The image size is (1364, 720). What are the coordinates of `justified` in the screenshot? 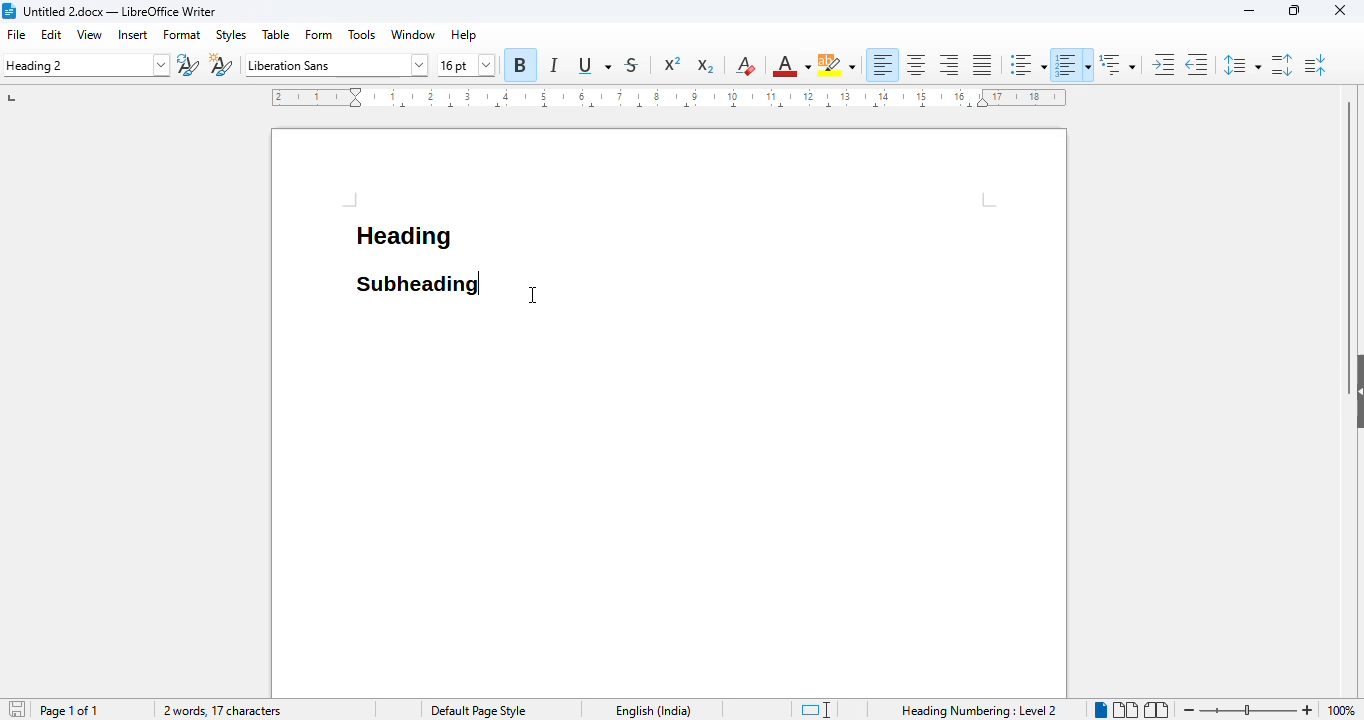 It's located at (982, 64).